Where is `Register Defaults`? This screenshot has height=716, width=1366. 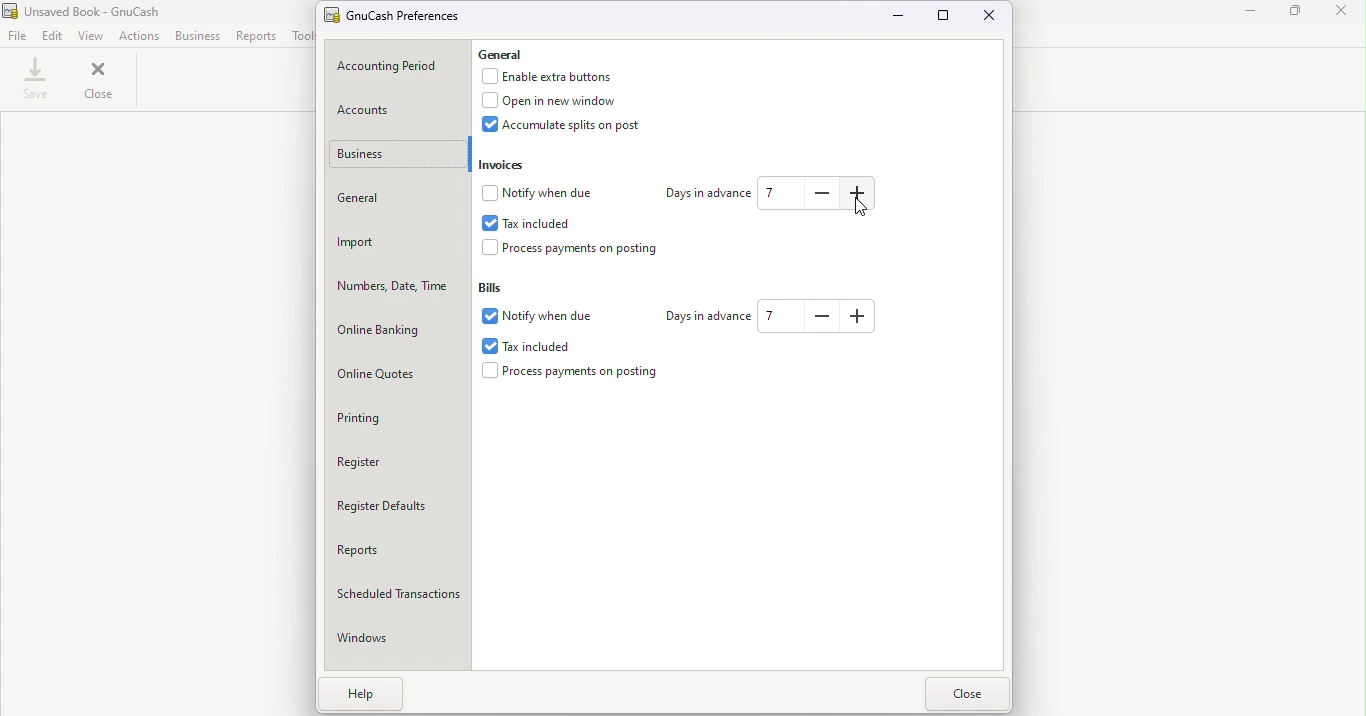 Register Defaults is located at coordinates (399, 511).